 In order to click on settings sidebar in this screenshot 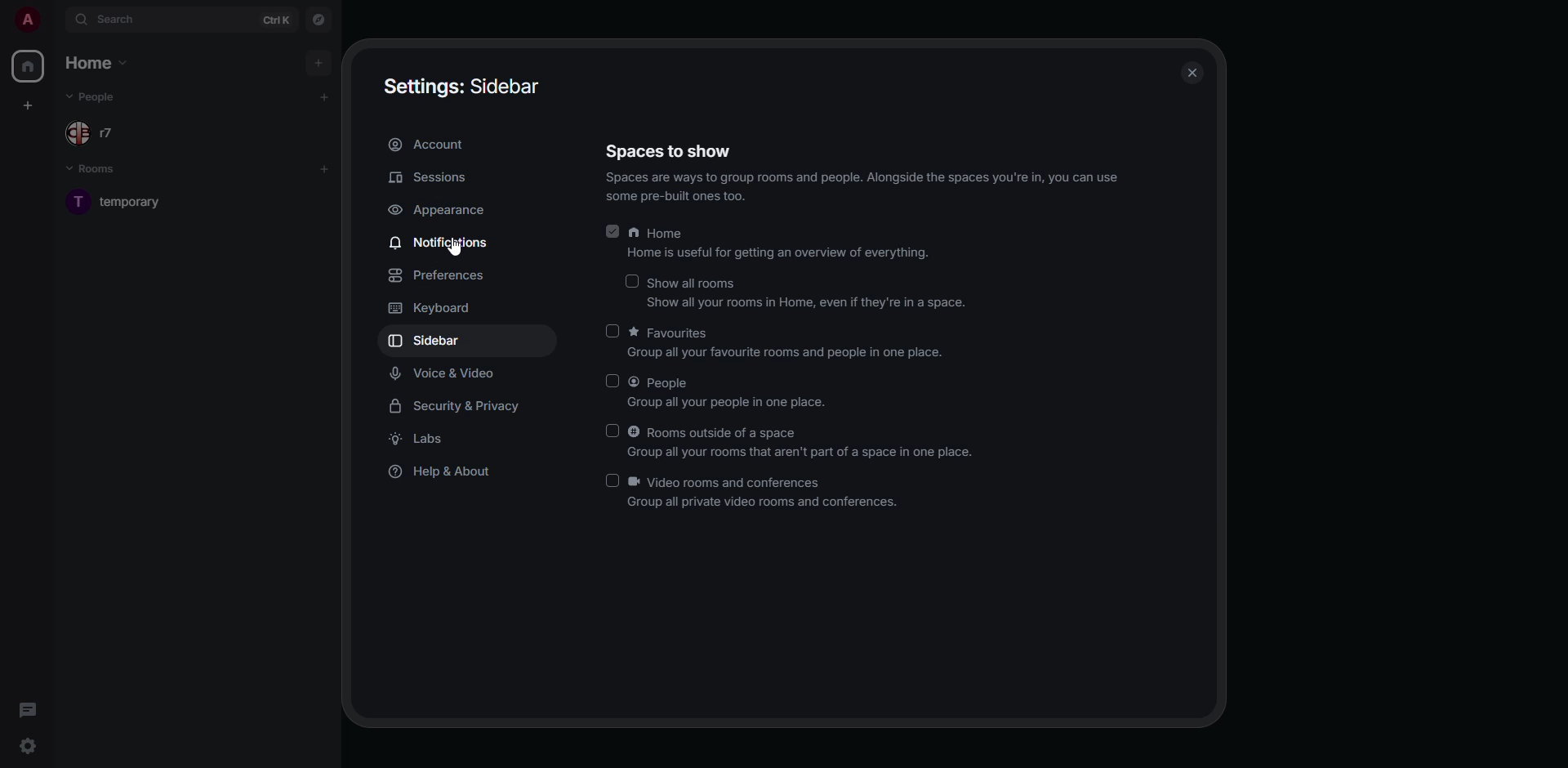, I will do `click(465, 87)`.